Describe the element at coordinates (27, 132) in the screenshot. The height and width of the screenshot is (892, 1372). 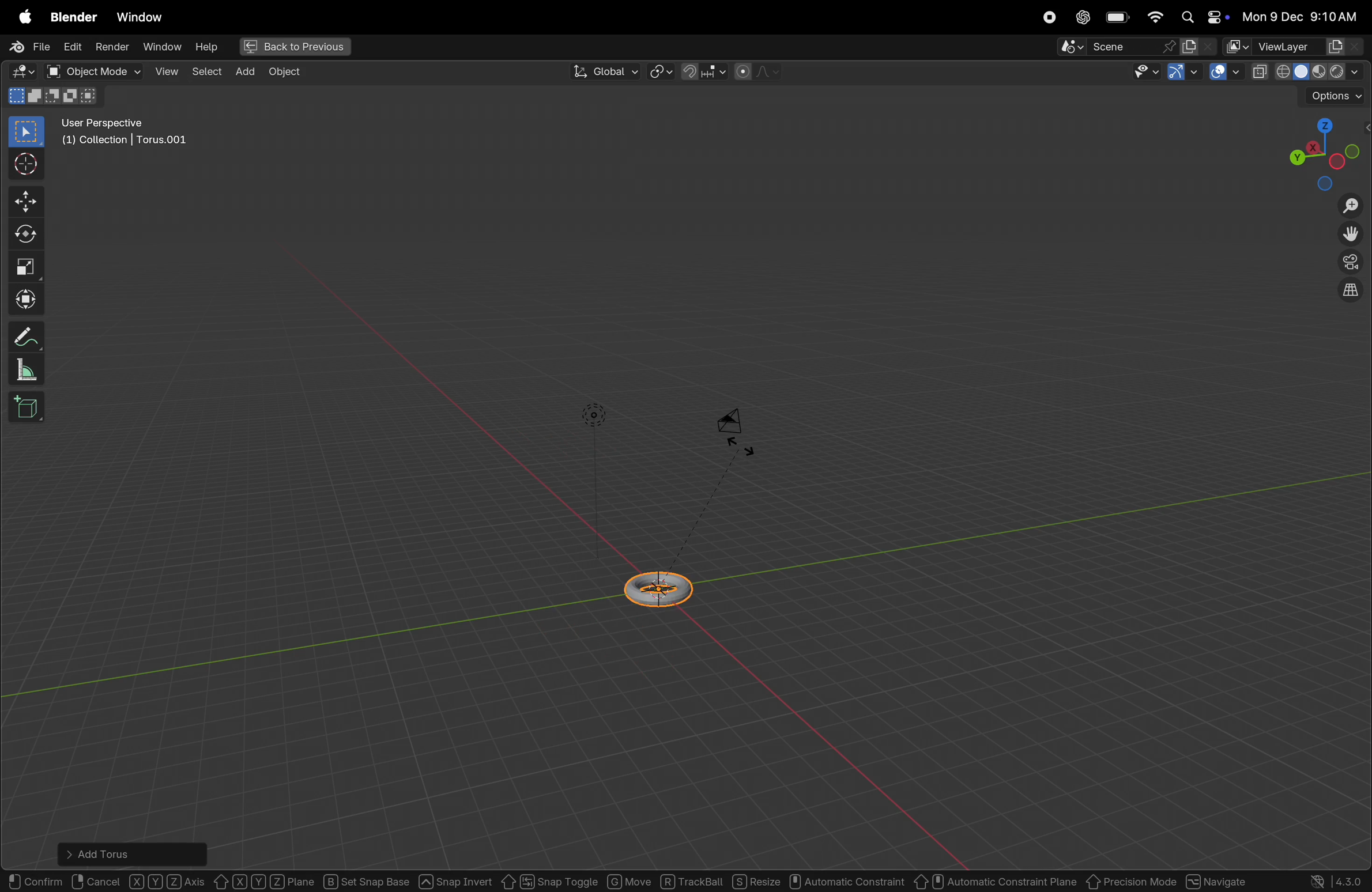
I see `select` at that location.